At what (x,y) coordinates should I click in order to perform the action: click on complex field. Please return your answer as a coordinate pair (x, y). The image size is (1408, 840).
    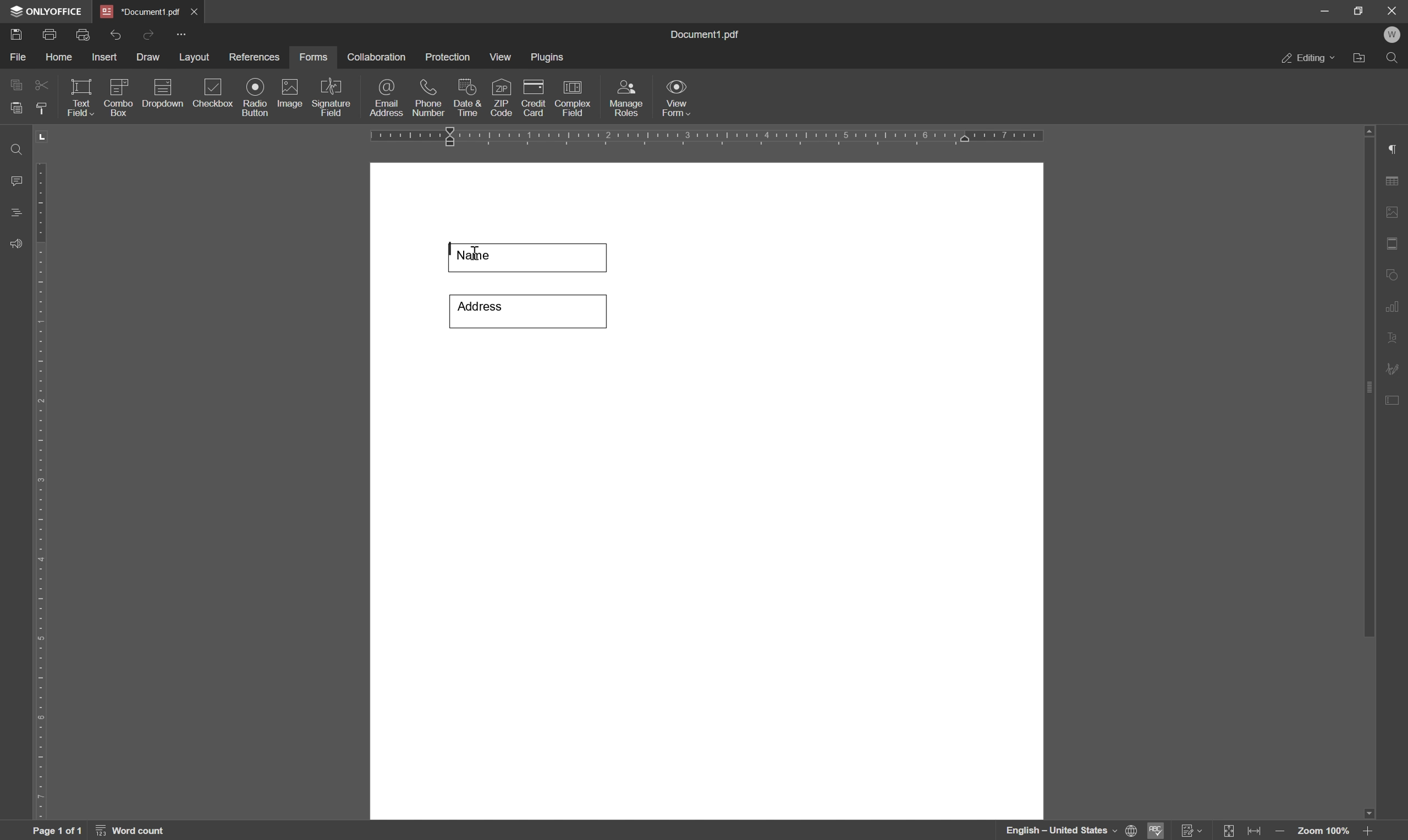
    Looking at the image, I should click on (573, 97).